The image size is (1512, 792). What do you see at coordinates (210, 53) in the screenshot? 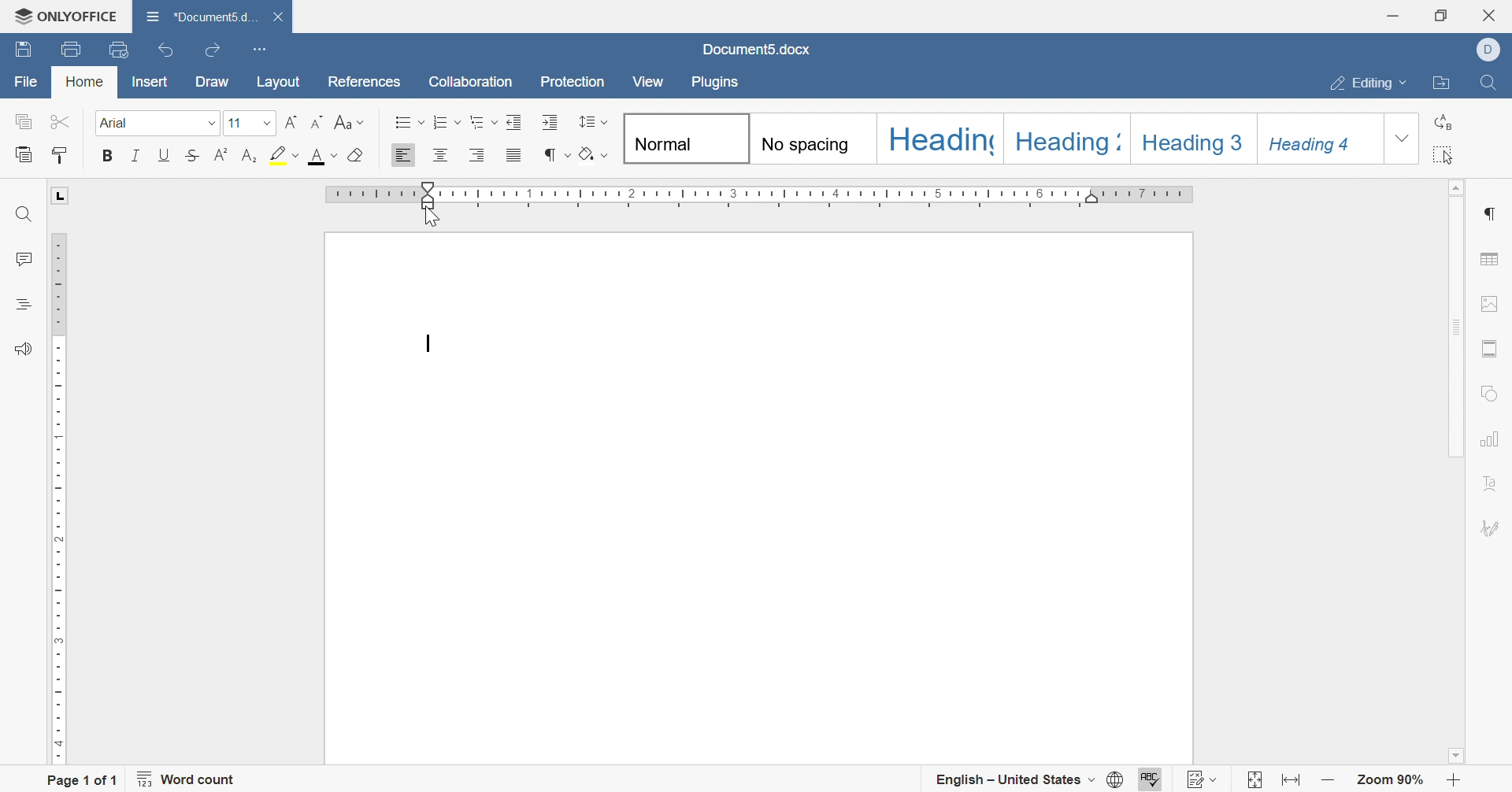
I see `redo` at bounding box center [210, 53].